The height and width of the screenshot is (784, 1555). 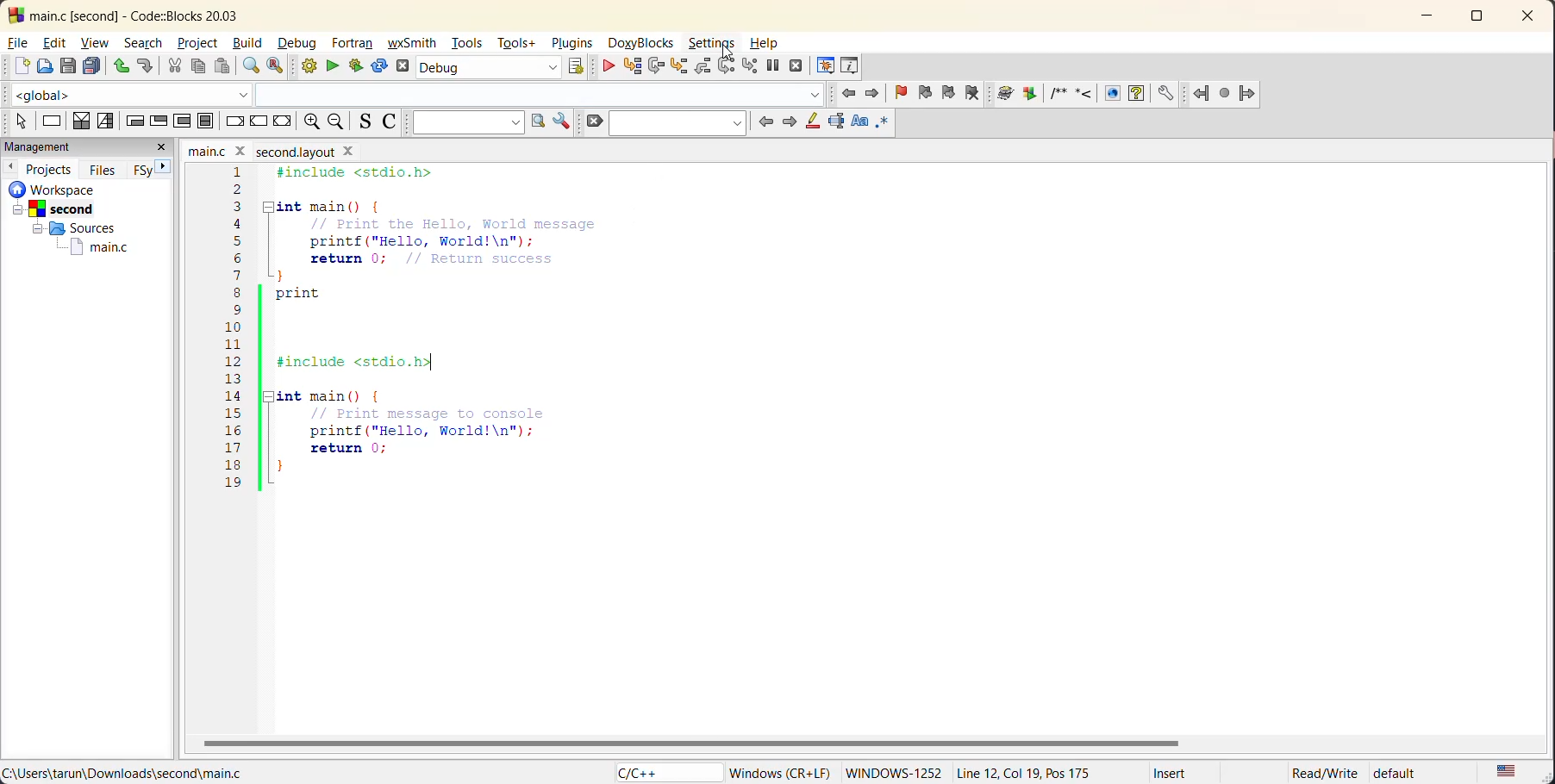 I want to click on fortran, so click(x=354, y=43).